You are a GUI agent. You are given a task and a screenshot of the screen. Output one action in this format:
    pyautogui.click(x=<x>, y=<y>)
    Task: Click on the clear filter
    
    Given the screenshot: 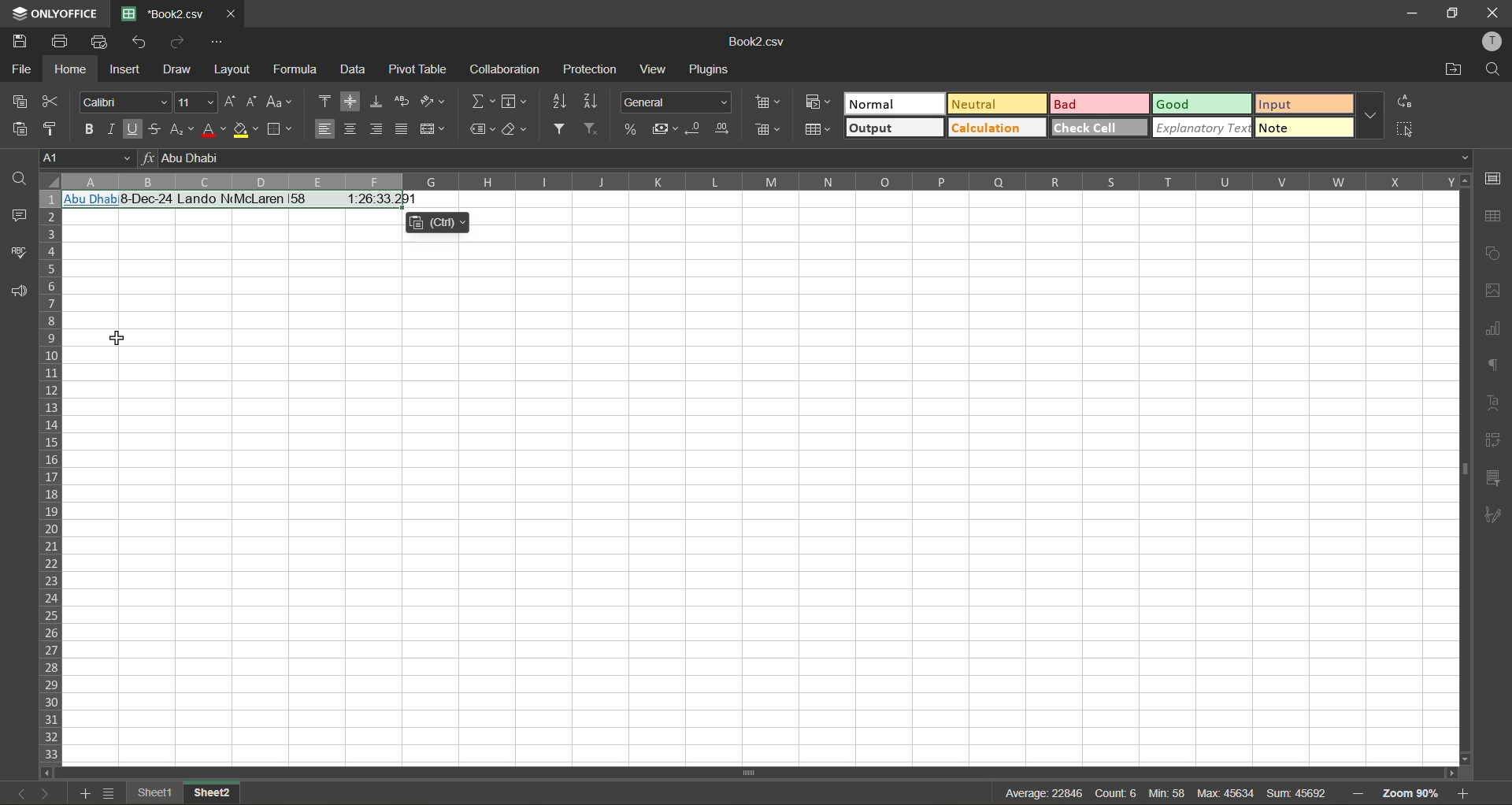 What is the action you would take?
    pyautogui.click(x=597, y=131)
    